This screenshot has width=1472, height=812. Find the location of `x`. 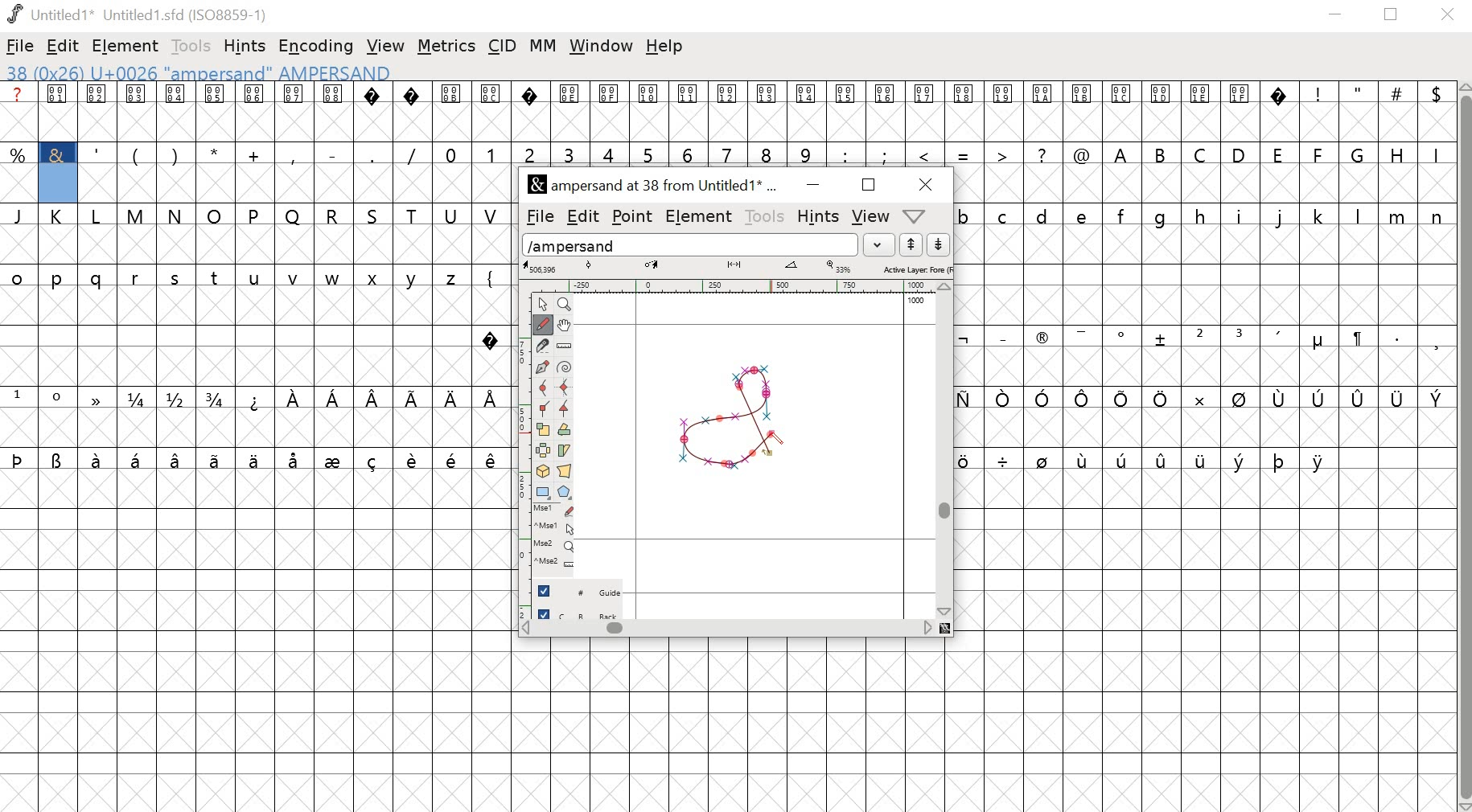

x is located at coordinates (377, 279).